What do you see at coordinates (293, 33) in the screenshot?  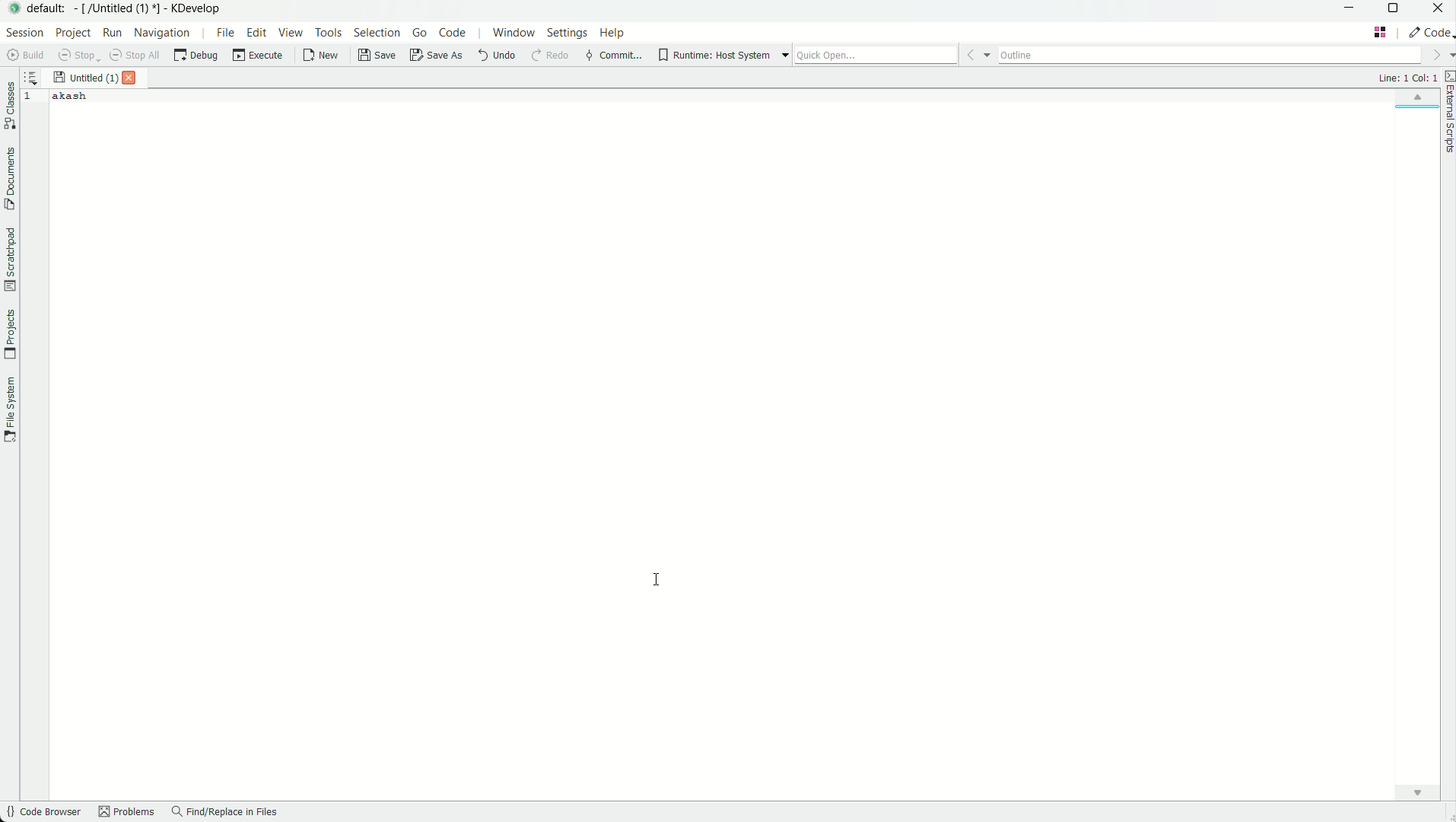 I see `view menu` at bounding box center [293, 33].